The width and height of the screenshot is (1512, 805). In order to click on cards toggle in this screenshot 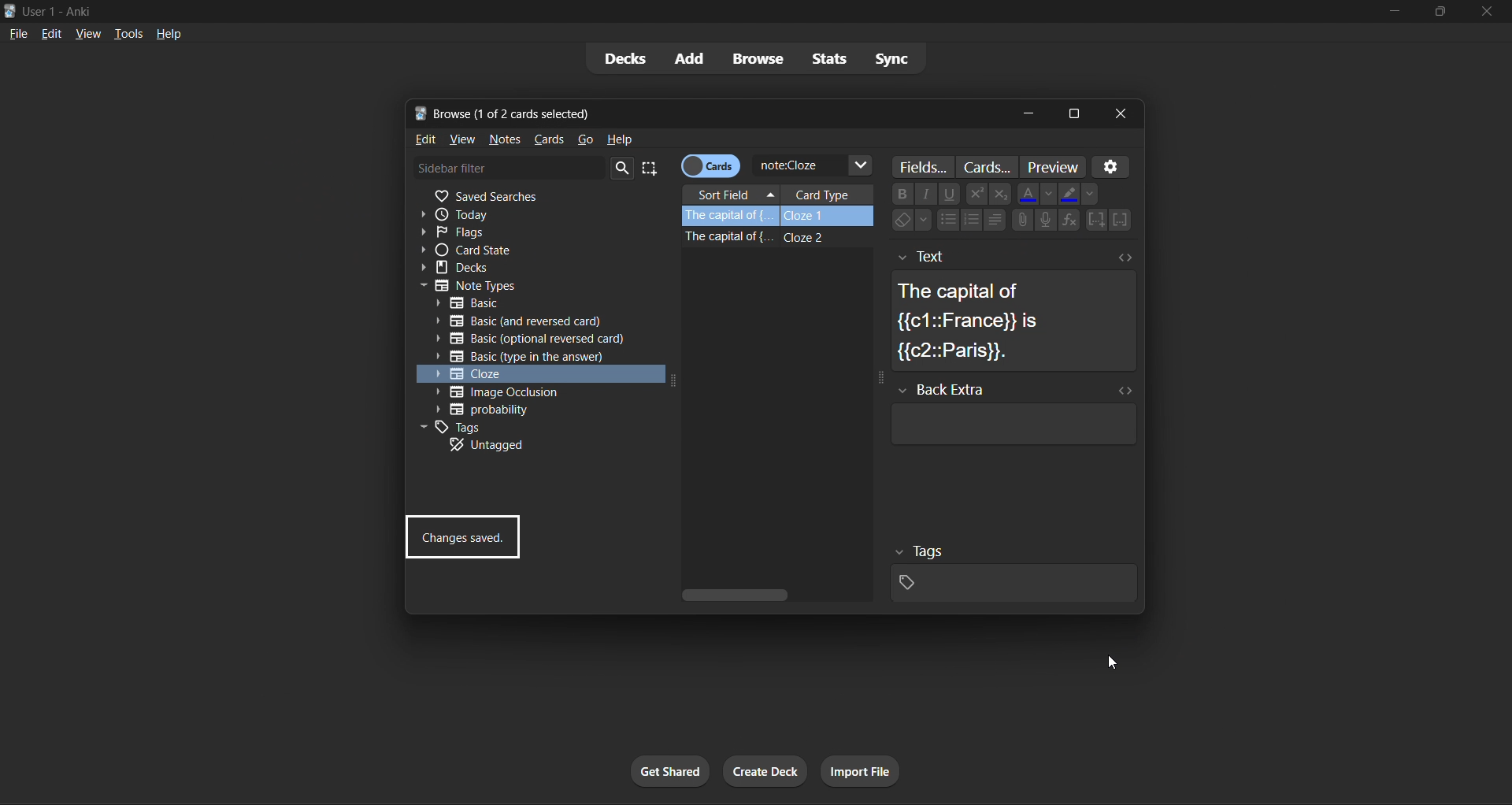, I will do `click(713, 166)`.